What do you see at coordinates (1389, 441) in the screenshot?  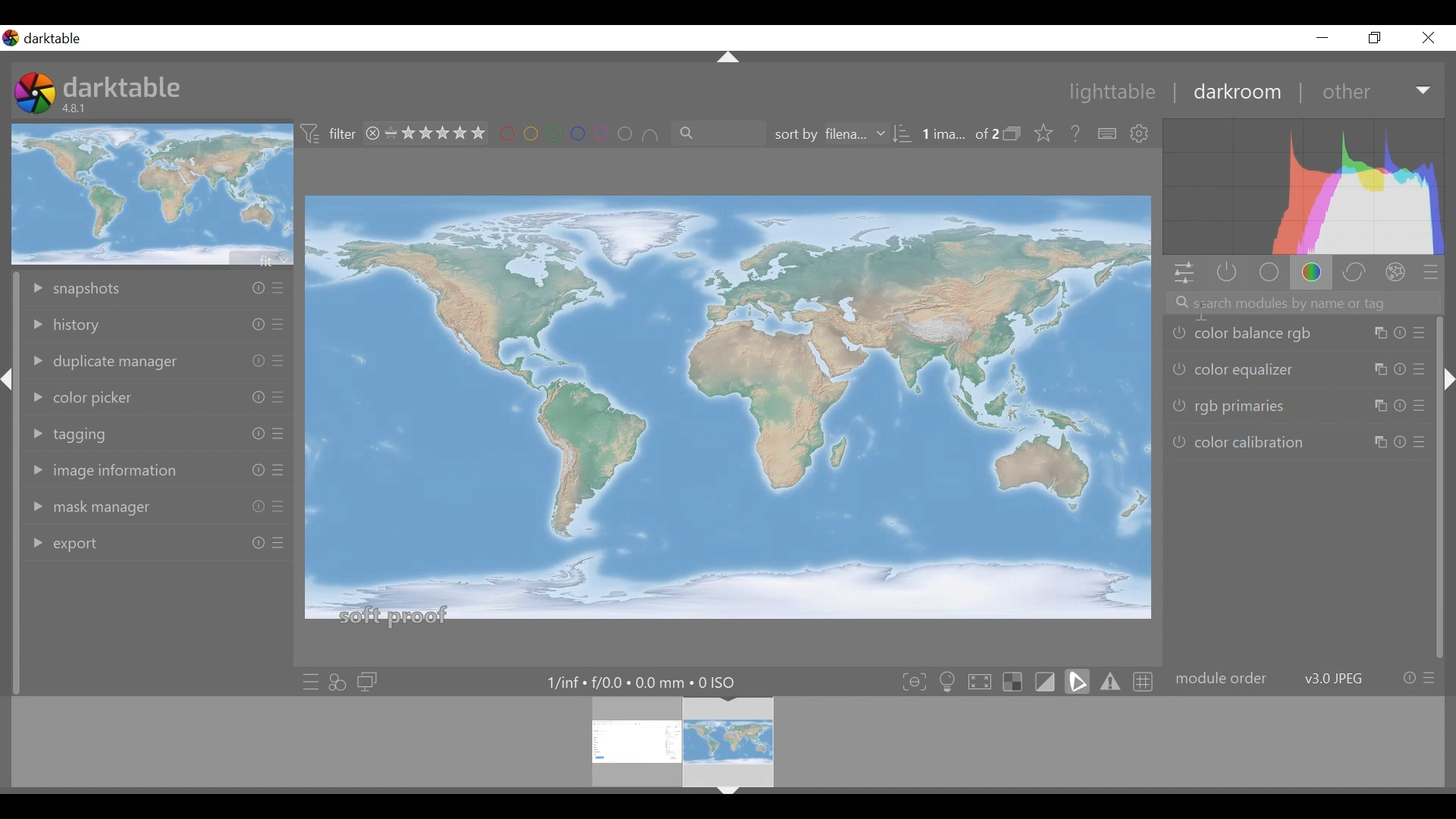 I see `` at bounding box center [1389, 441].